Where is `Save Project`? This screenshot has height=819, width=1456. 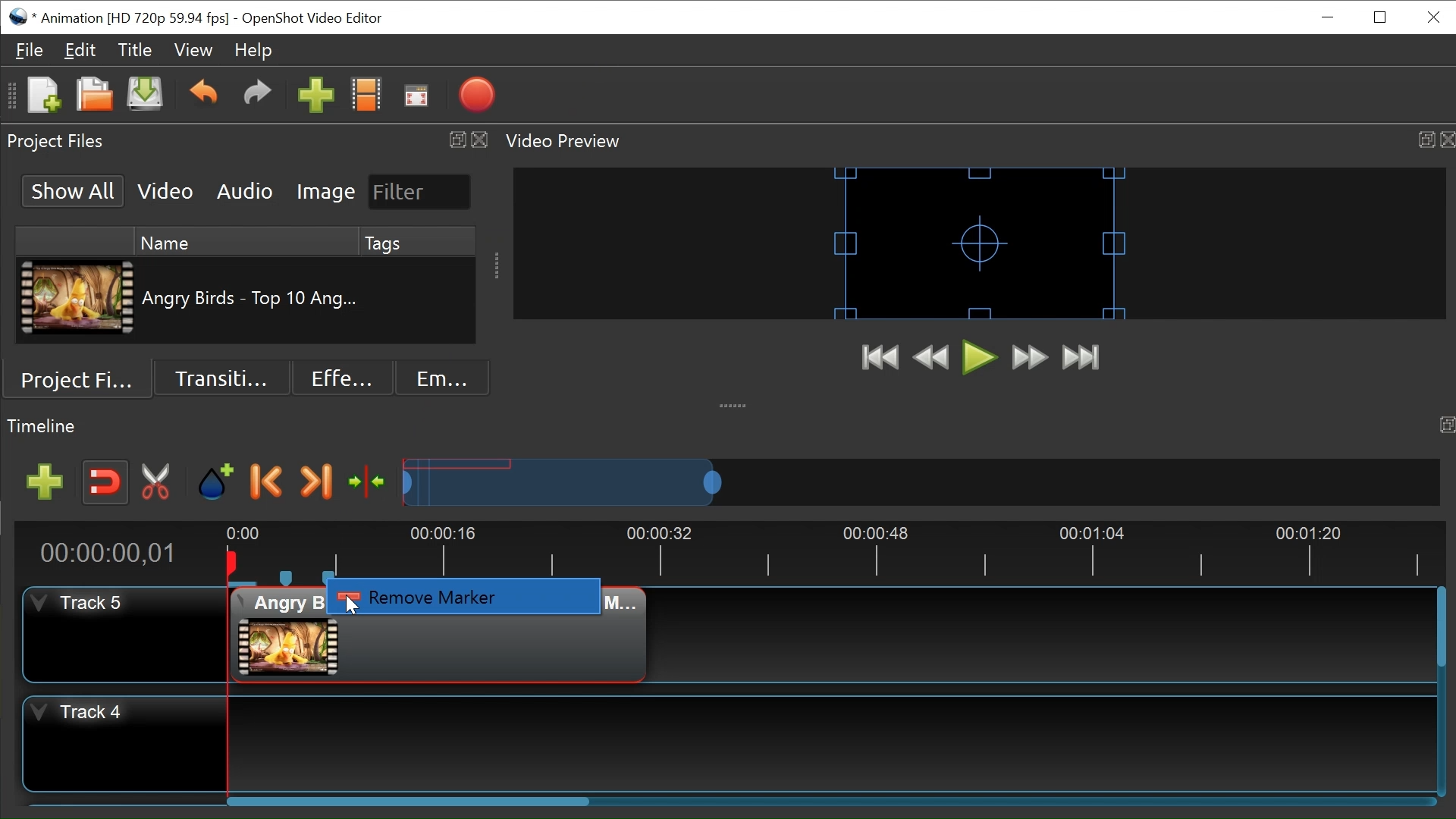 Save Project is located at coordinates (144, 97).